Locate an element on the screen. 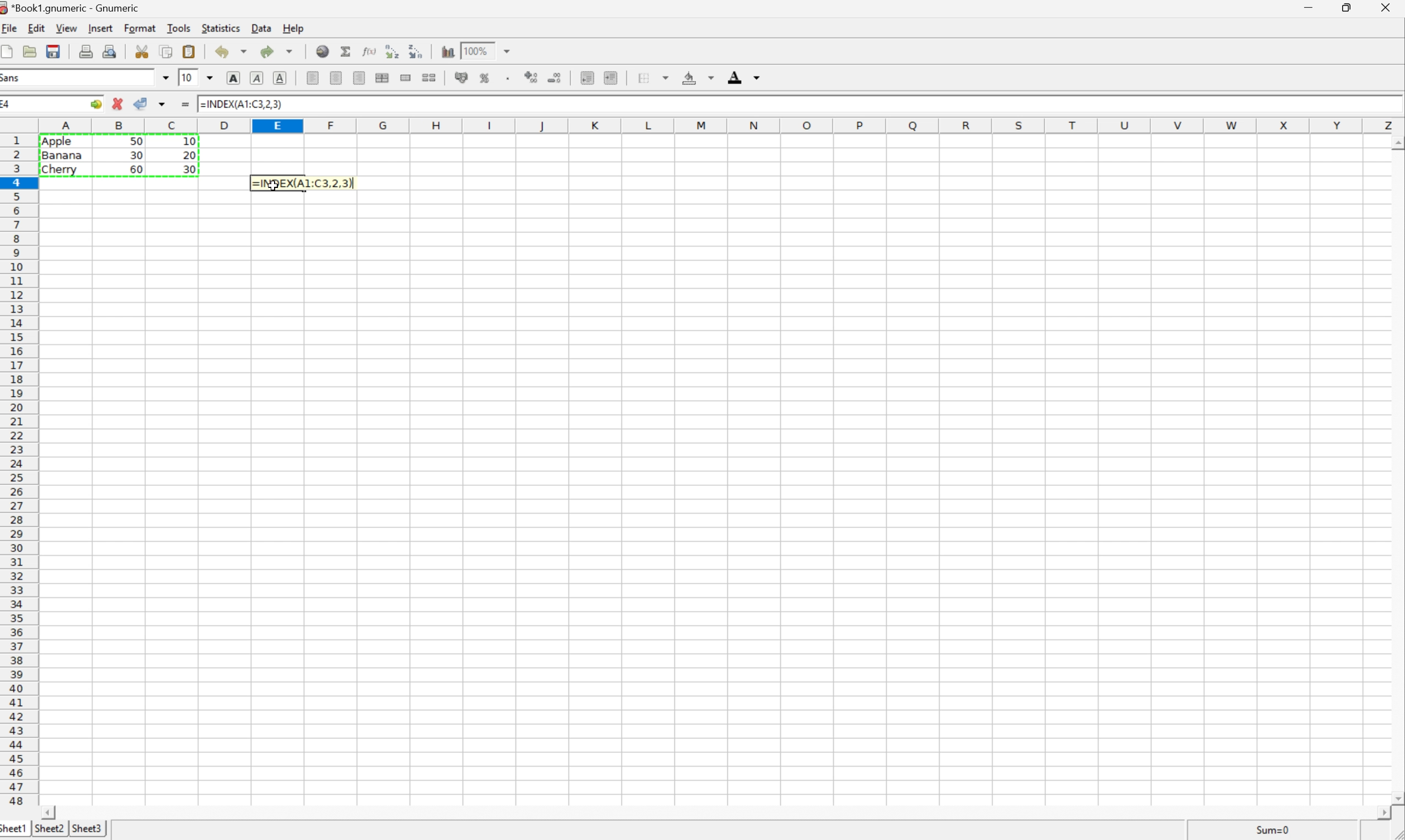  decrease indent is located at coordinates (587, 78).